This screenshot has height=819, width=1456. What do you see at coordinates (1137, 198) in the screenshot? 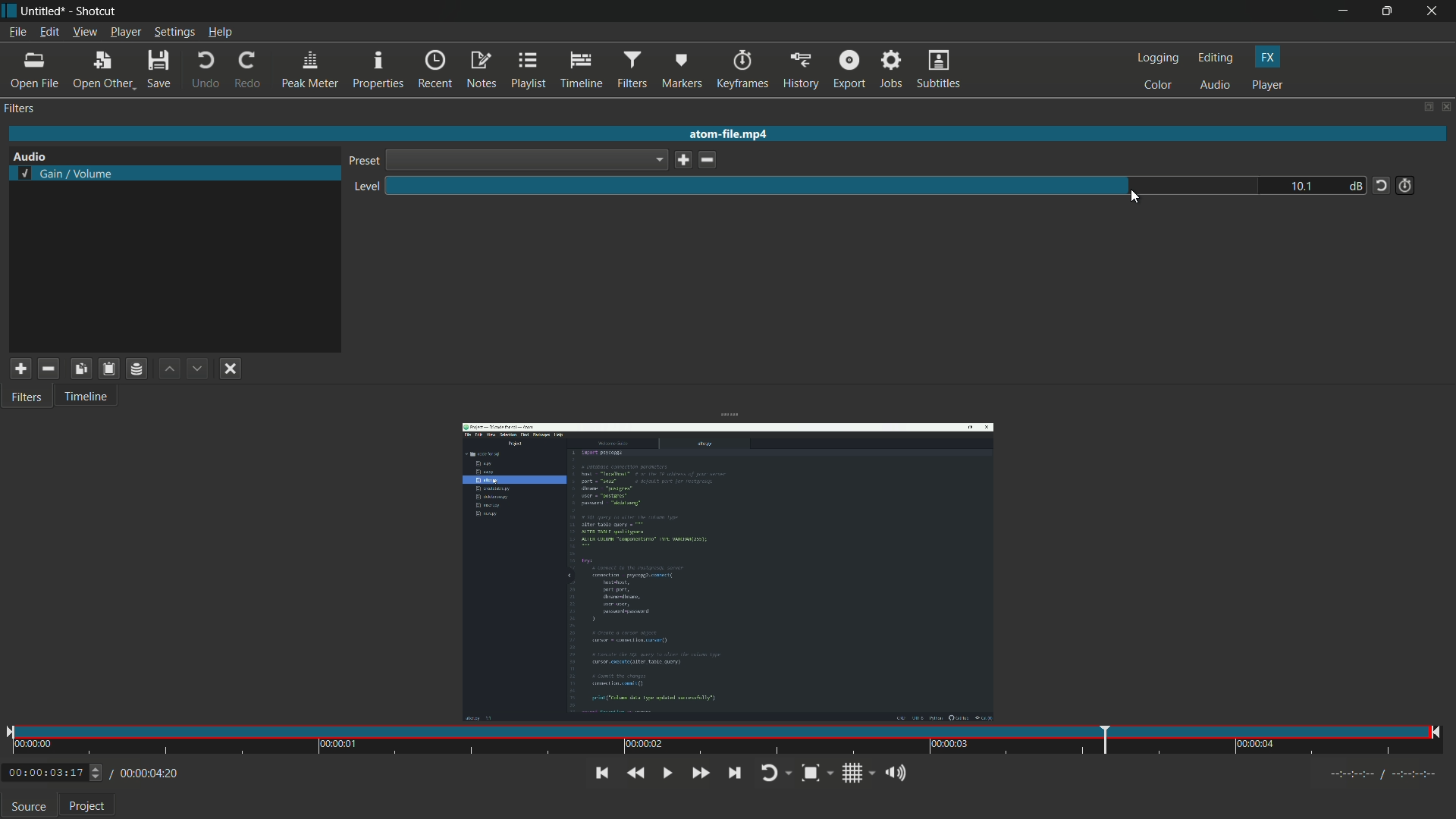
I see `cursor` at bounding box center [1137, 198].